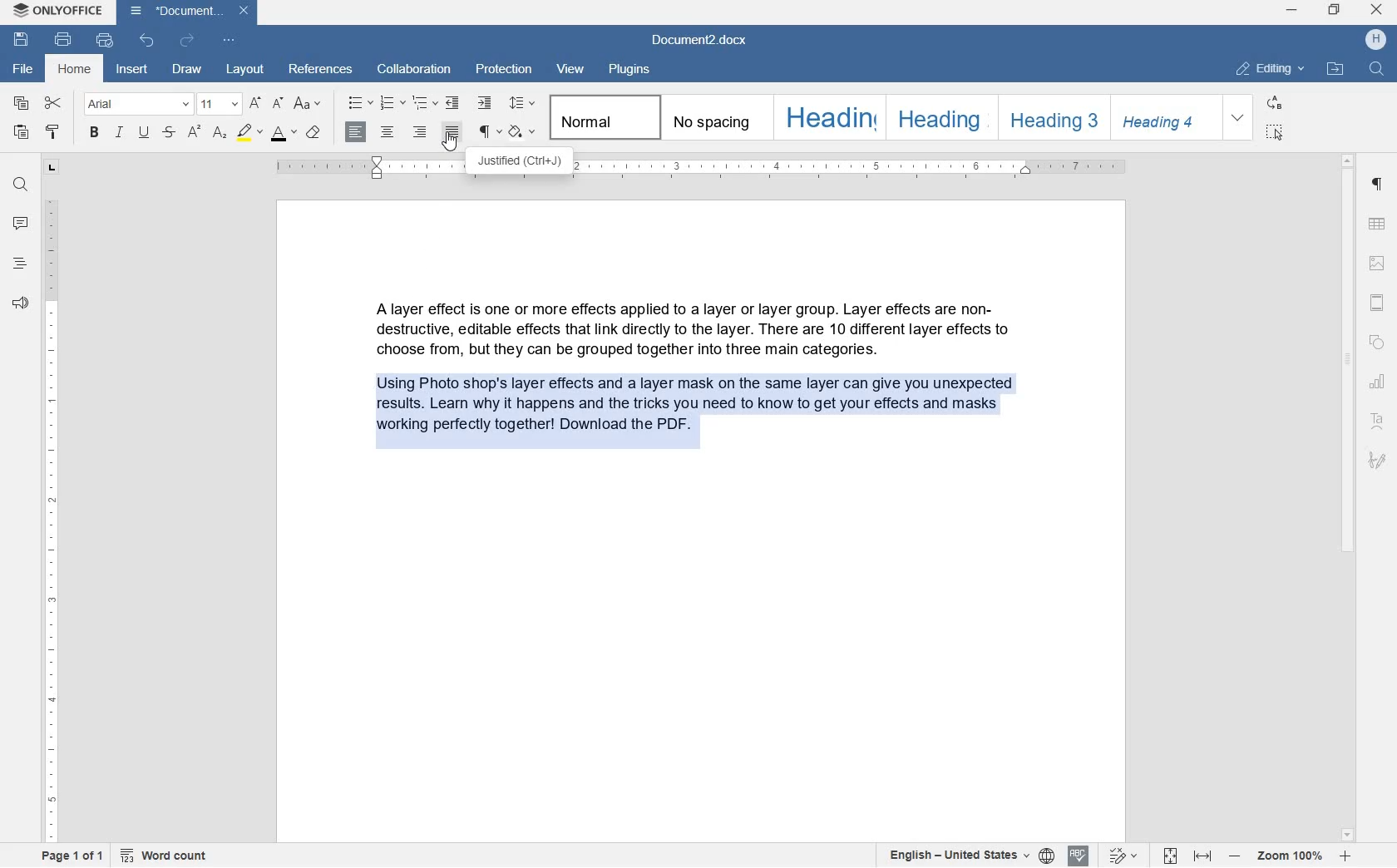 This screenshot has height=868, width=1397. I want to click on QUICK PRINT, so click(105, 39).